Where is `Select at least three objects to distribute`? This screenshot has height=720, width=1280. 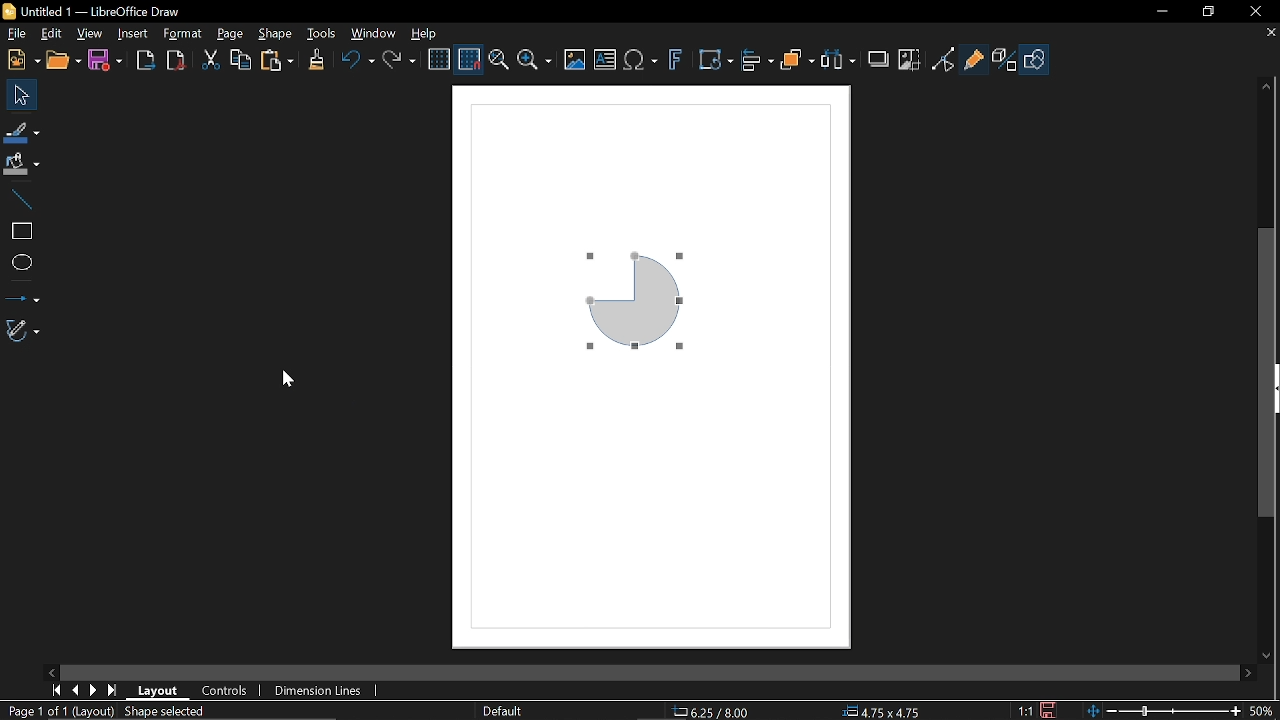
Select at least three objects to distribute is located at coordinates (839, 61).